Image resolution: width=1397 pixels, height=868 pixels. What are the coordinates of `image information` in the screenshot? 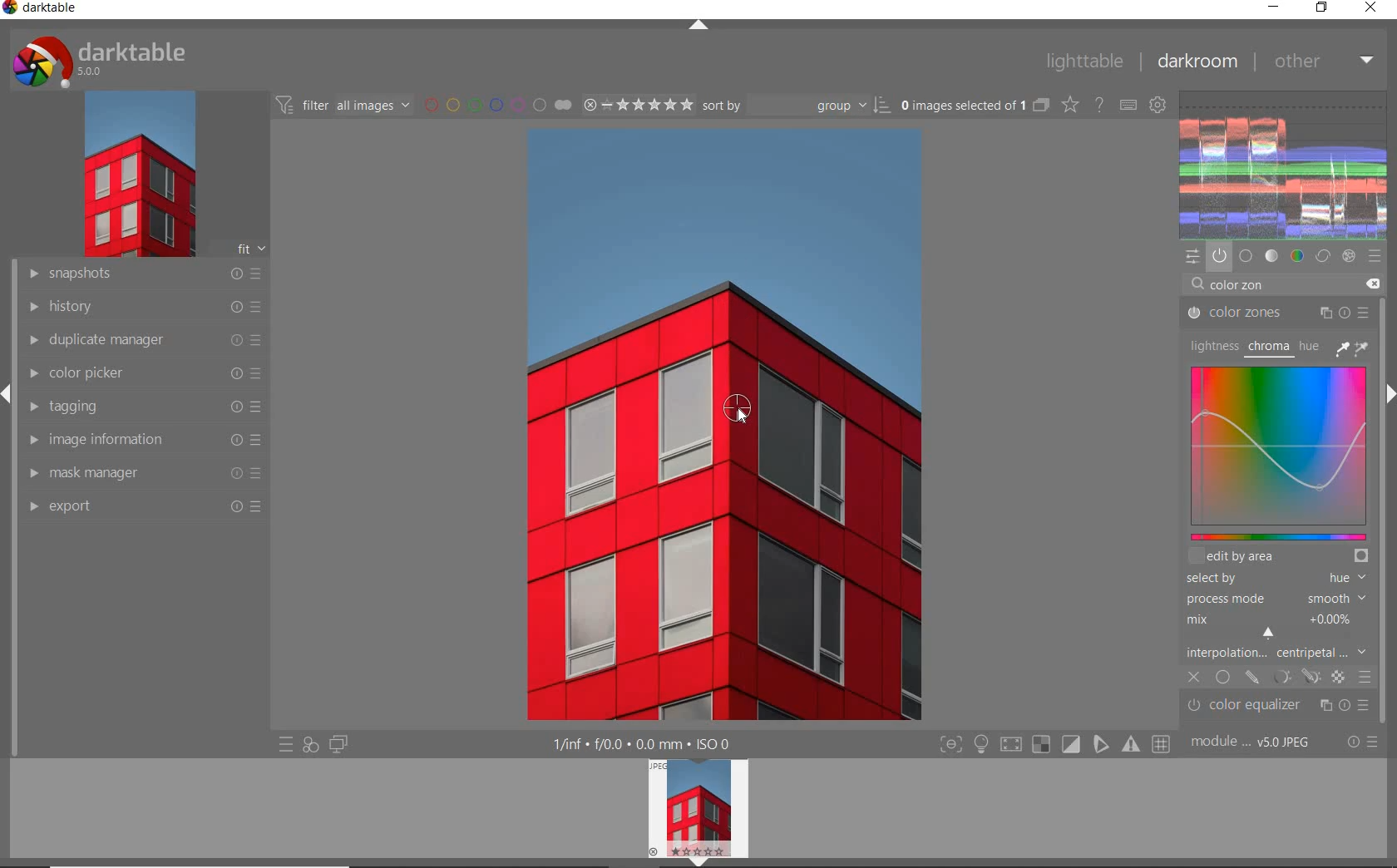 It's located at (142, 441).